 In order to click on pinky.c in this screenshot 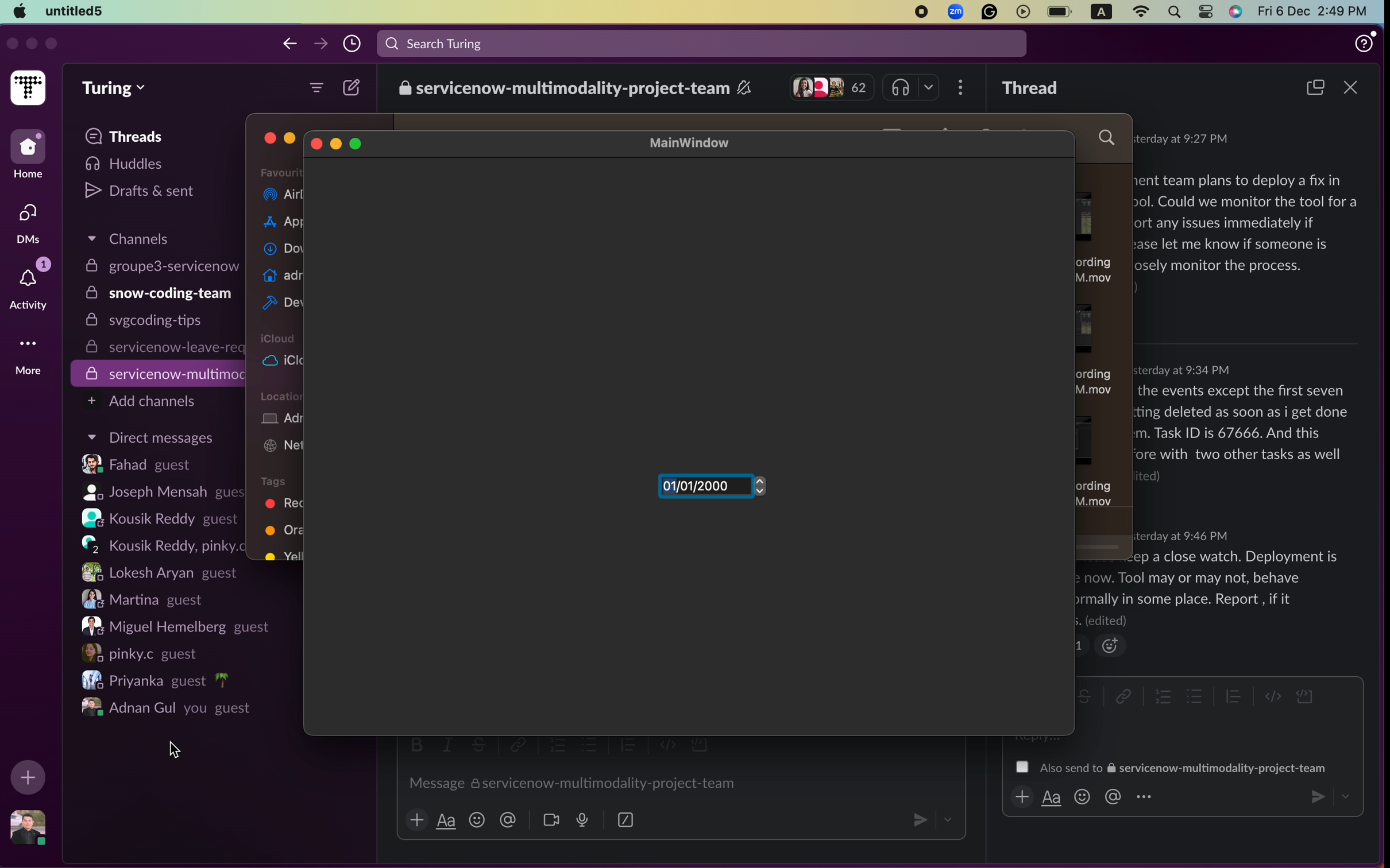, I will do `click(146, 653)`.